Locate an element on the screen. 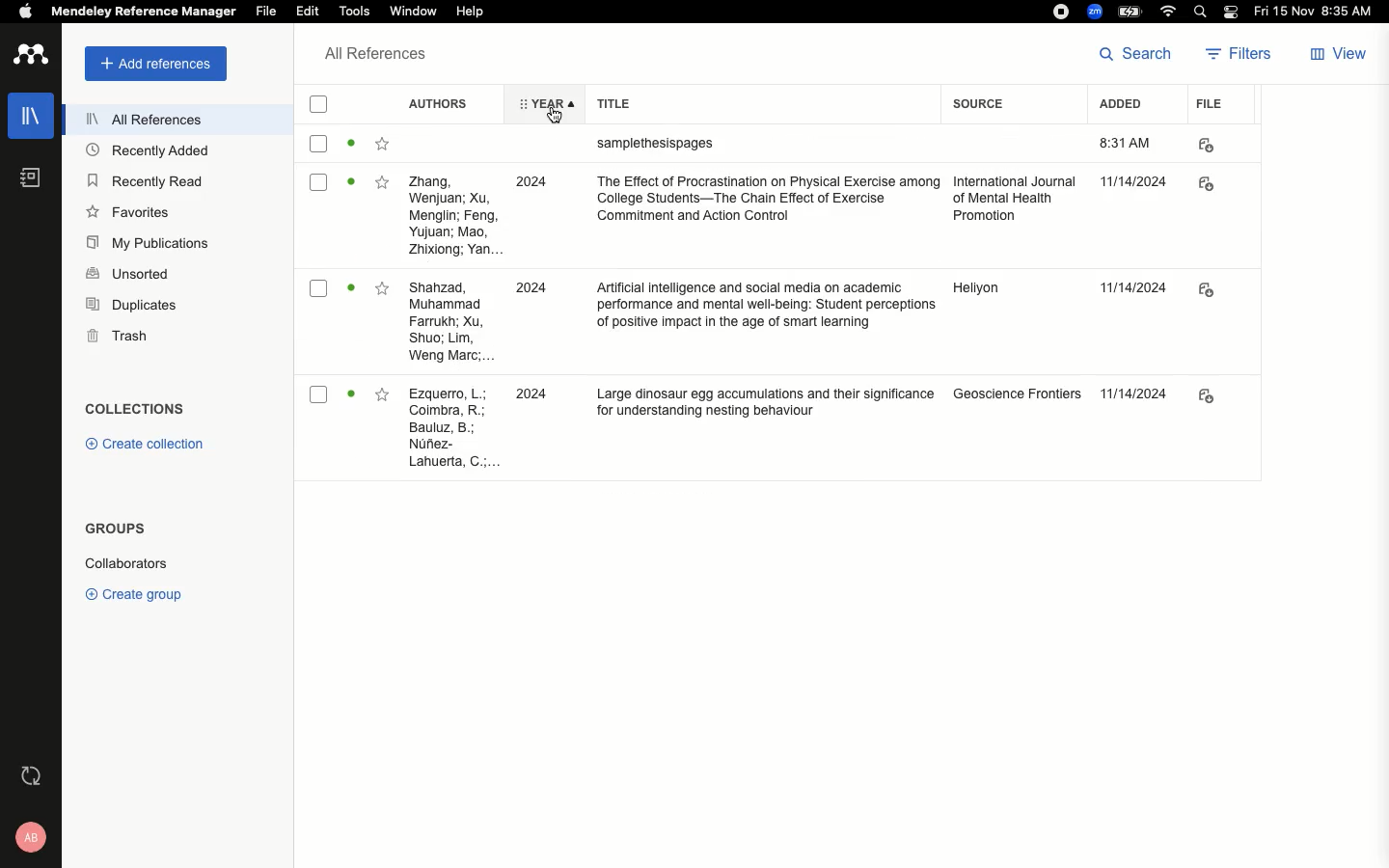  Library is located at coordinates (31, 114).